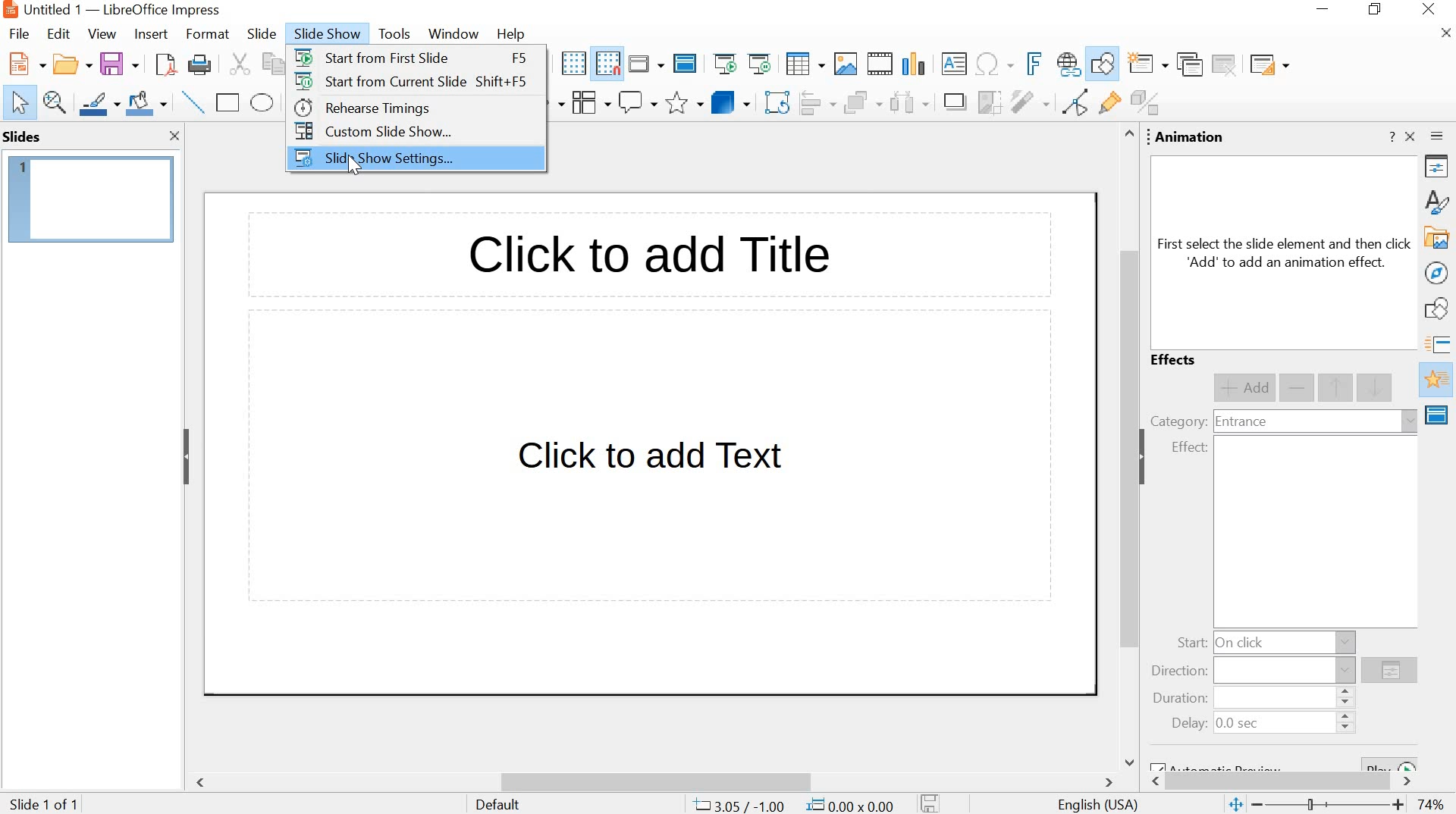  I want to click on new slide, so click(1149, 65).